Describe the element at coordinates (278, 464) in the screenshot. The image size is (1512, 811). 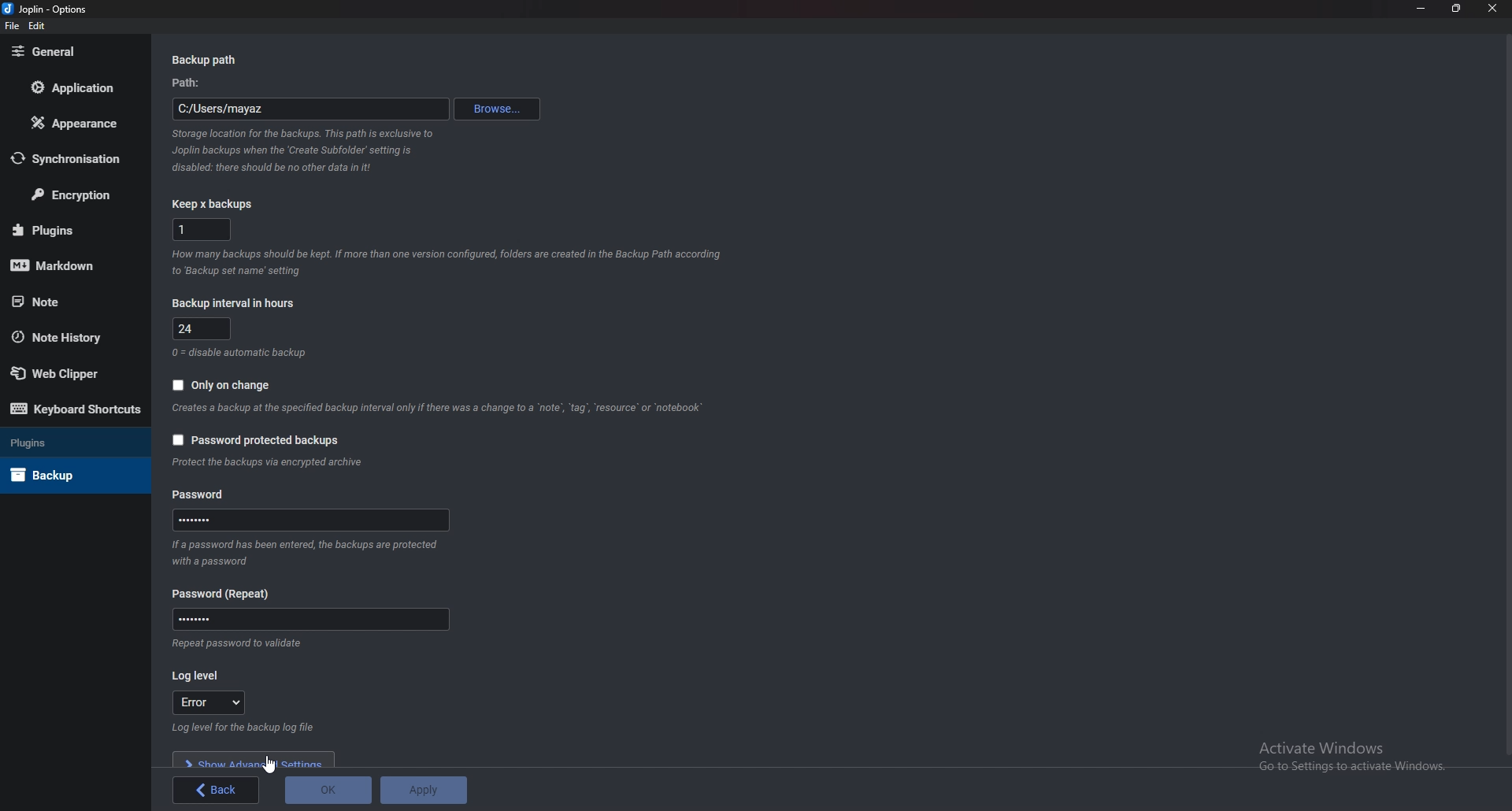
I see `info` at that location.